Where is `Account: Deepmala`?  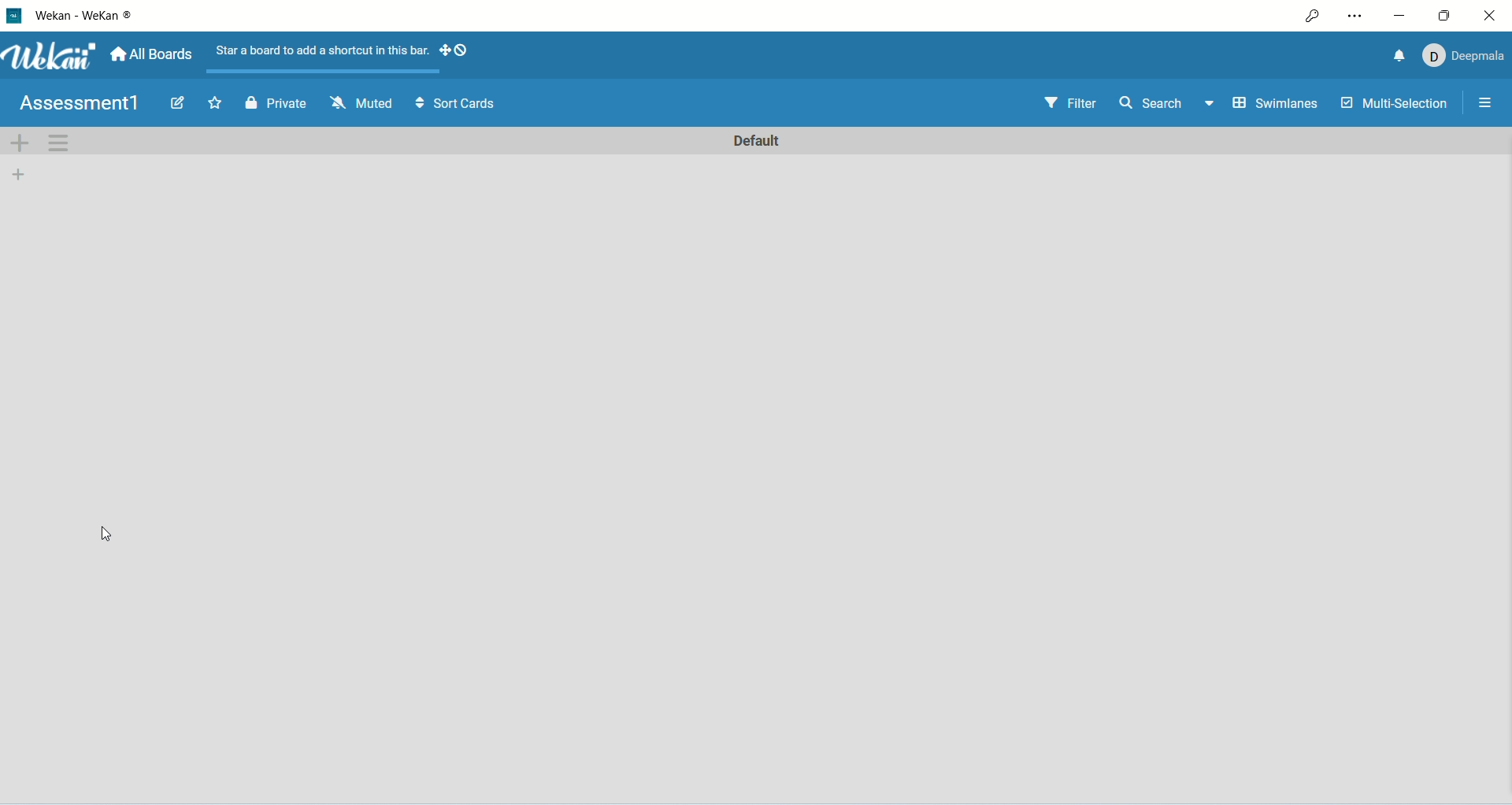
Account: Deepmala is located at coordinates (1460, 57).